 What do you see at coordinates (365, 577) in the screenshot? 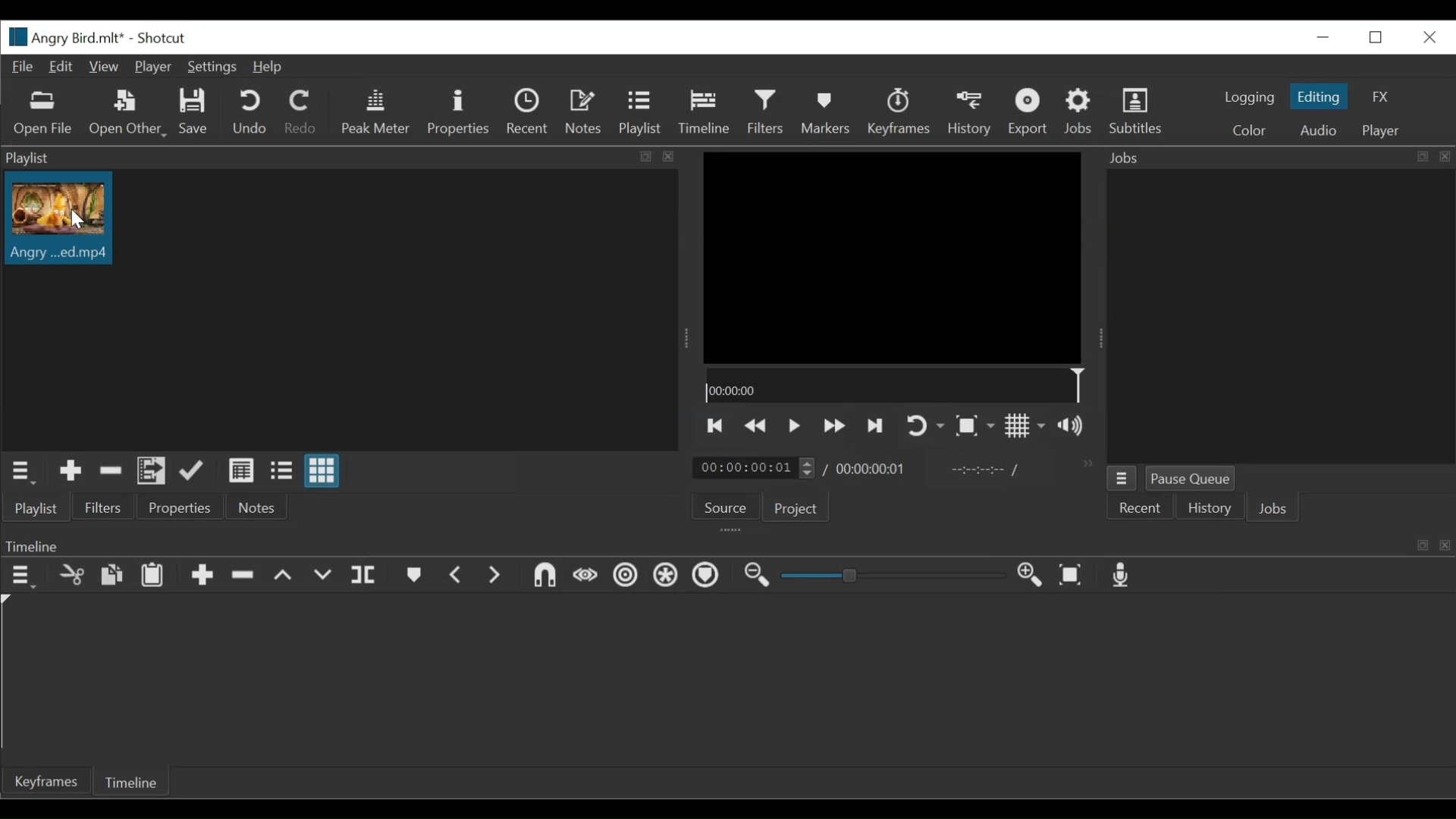
I see `Split at playhead` at bounding box center [365, 577].